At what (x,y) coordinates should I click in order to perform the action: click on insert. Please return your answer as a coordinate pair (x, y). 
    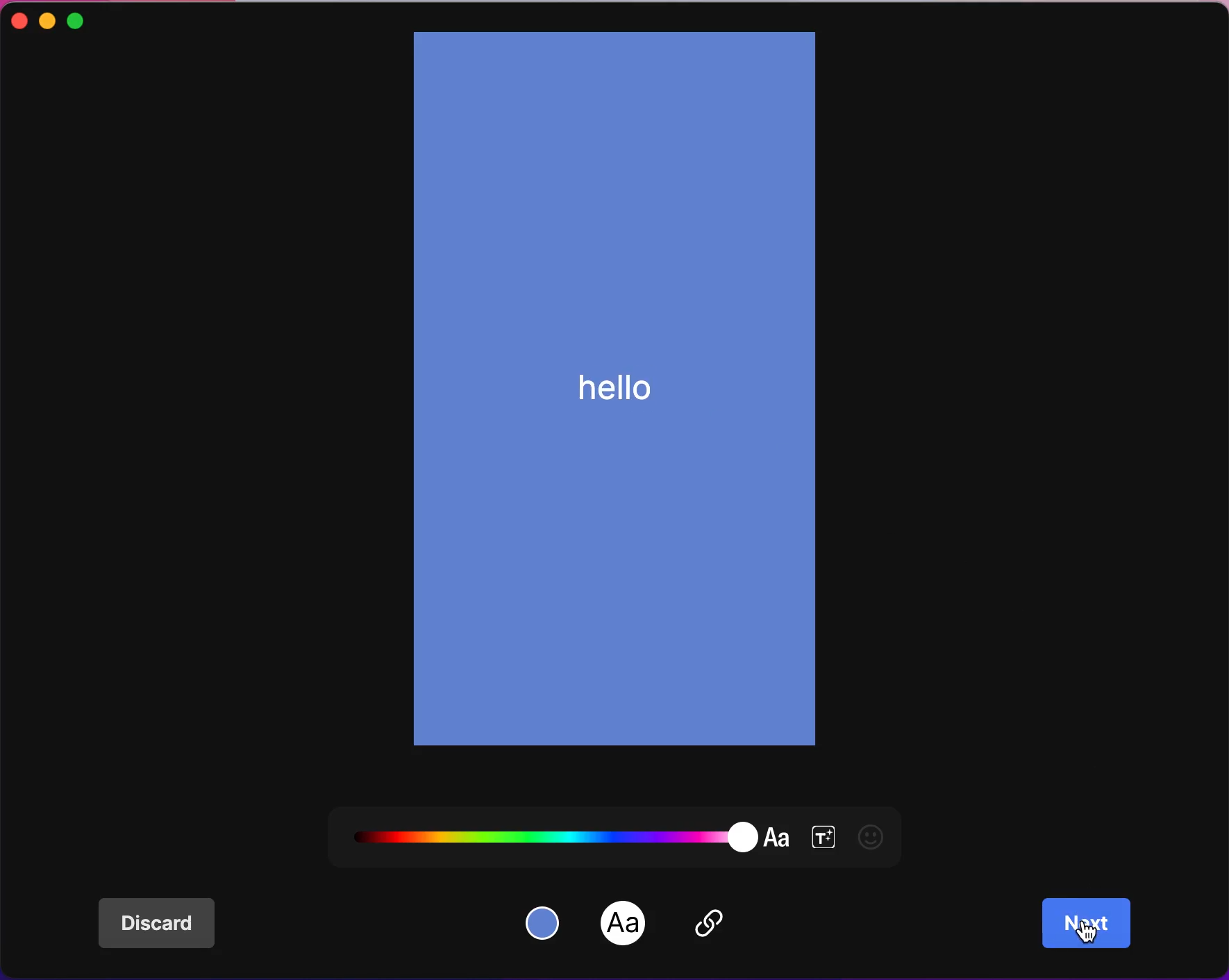
    Looking at the image, I should click on (727, 928).